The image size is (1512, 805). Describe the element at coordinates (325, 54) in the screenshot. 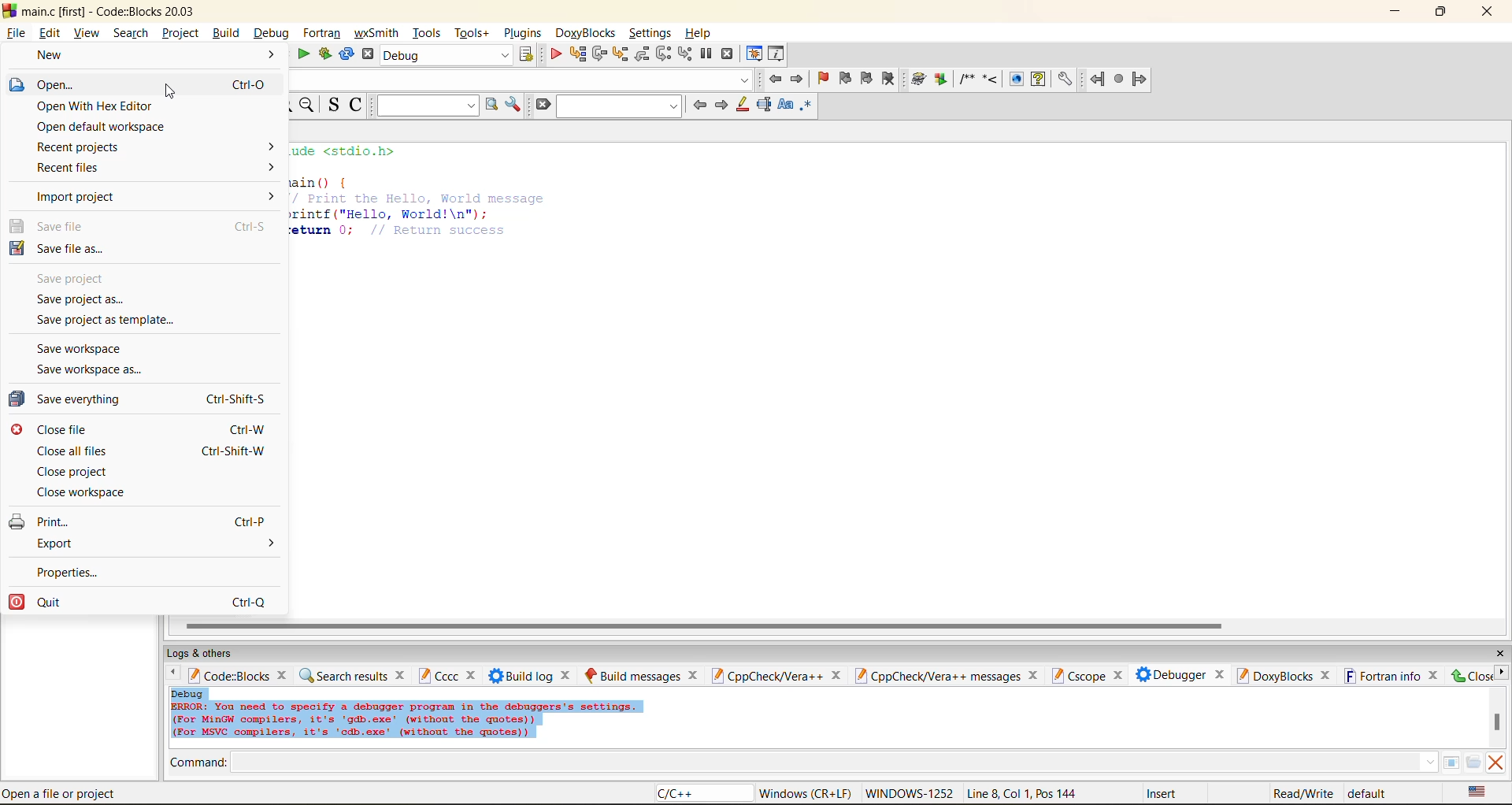

I see `build and run` at that location.